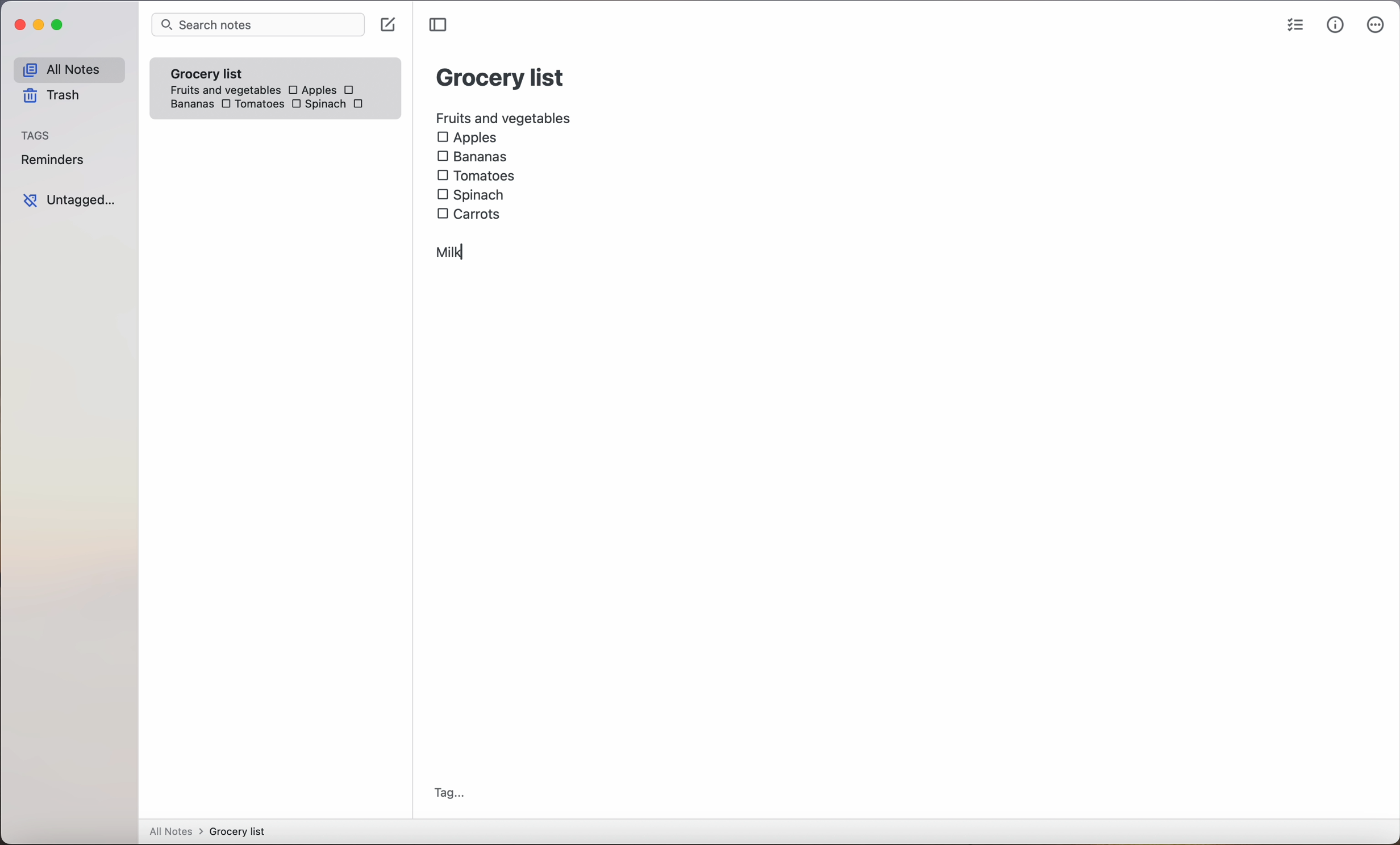  I want to click on untagged, so click(69, 200).